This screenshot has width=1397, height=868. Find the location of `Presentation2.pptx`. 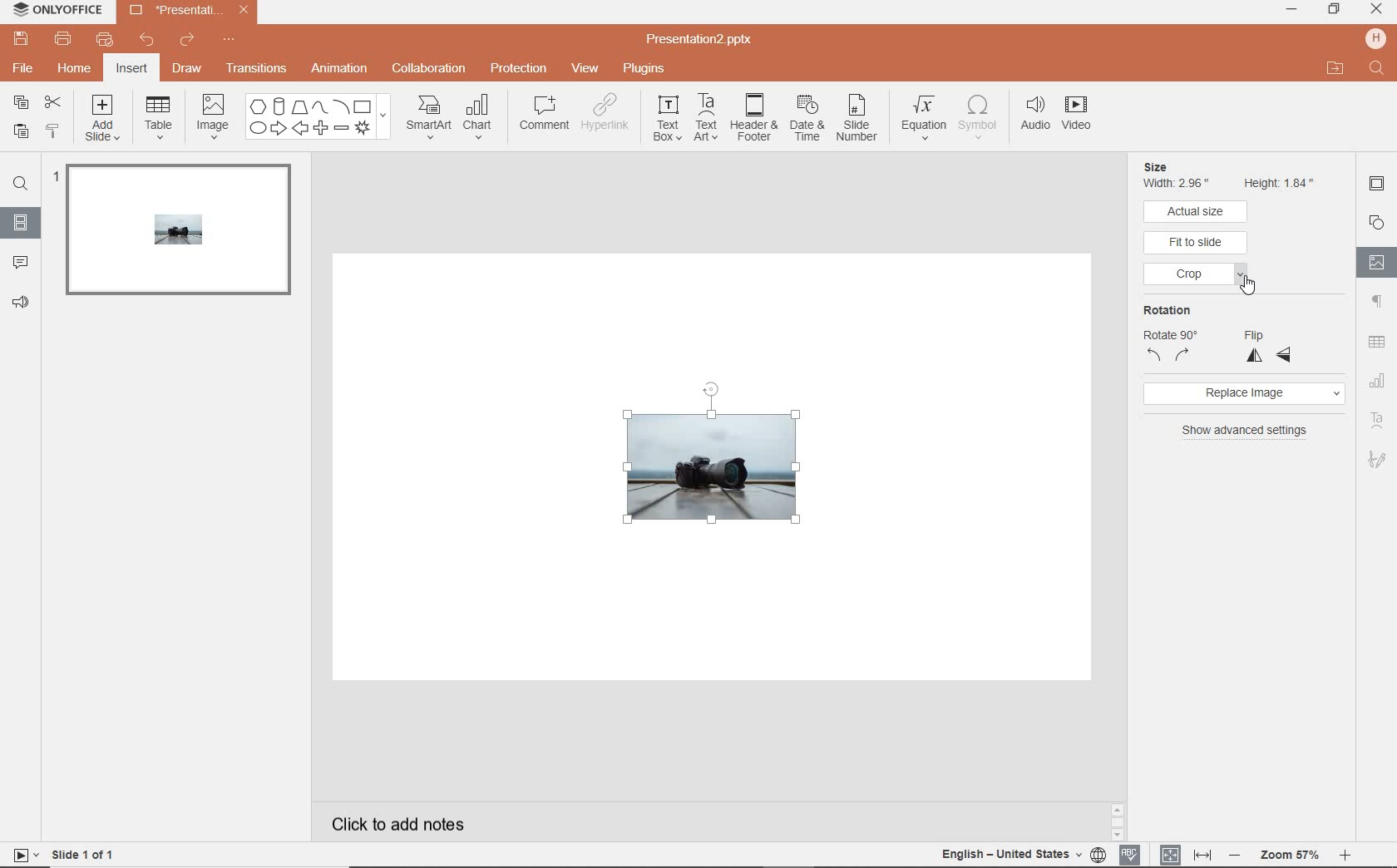

Presentation2.pptx is located at coordinates (185, 12).